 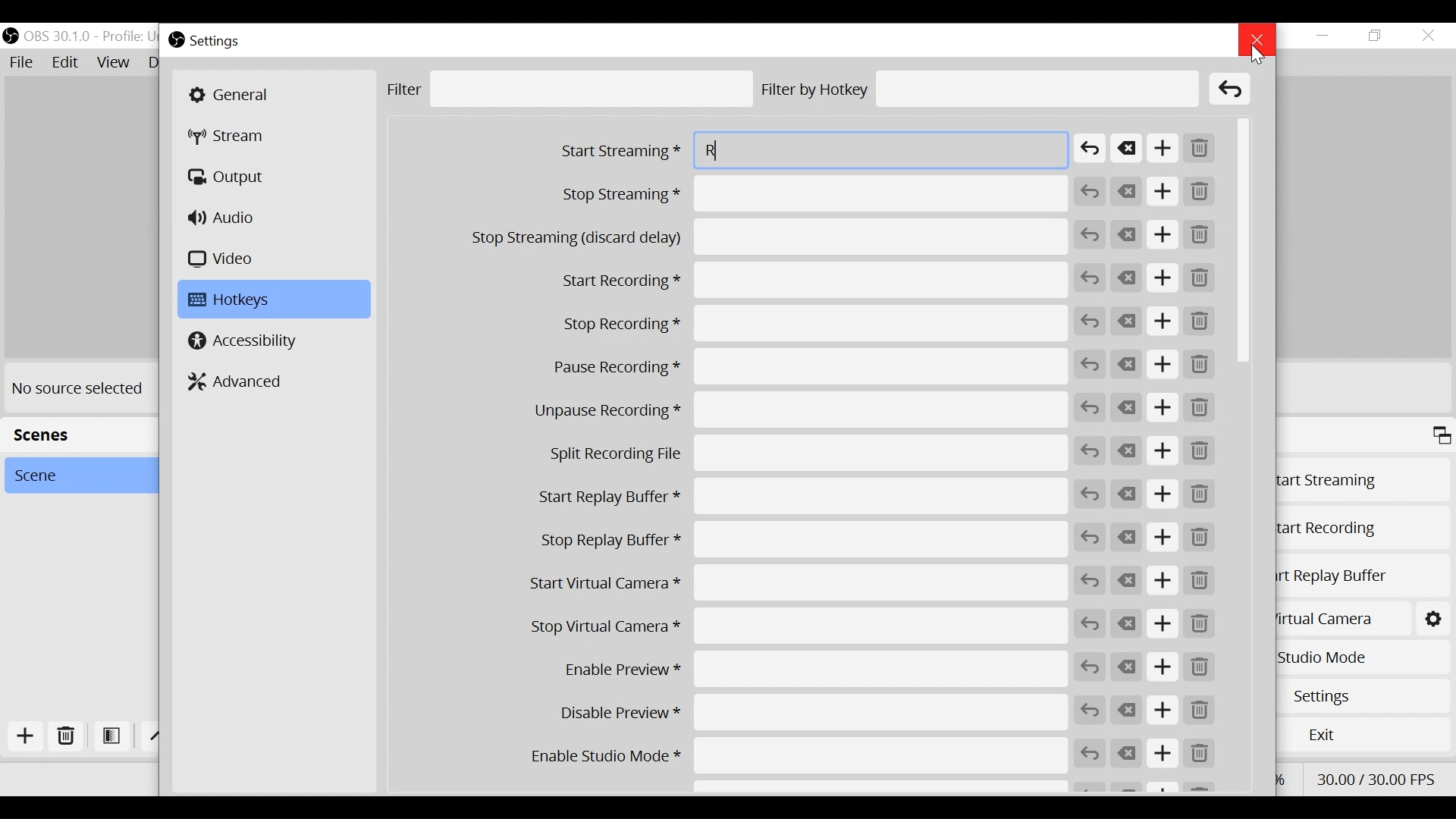 What do you see at coordinates (1163, 754) in the screenshot?
I see `Add` at bounding box center [1163, 754].